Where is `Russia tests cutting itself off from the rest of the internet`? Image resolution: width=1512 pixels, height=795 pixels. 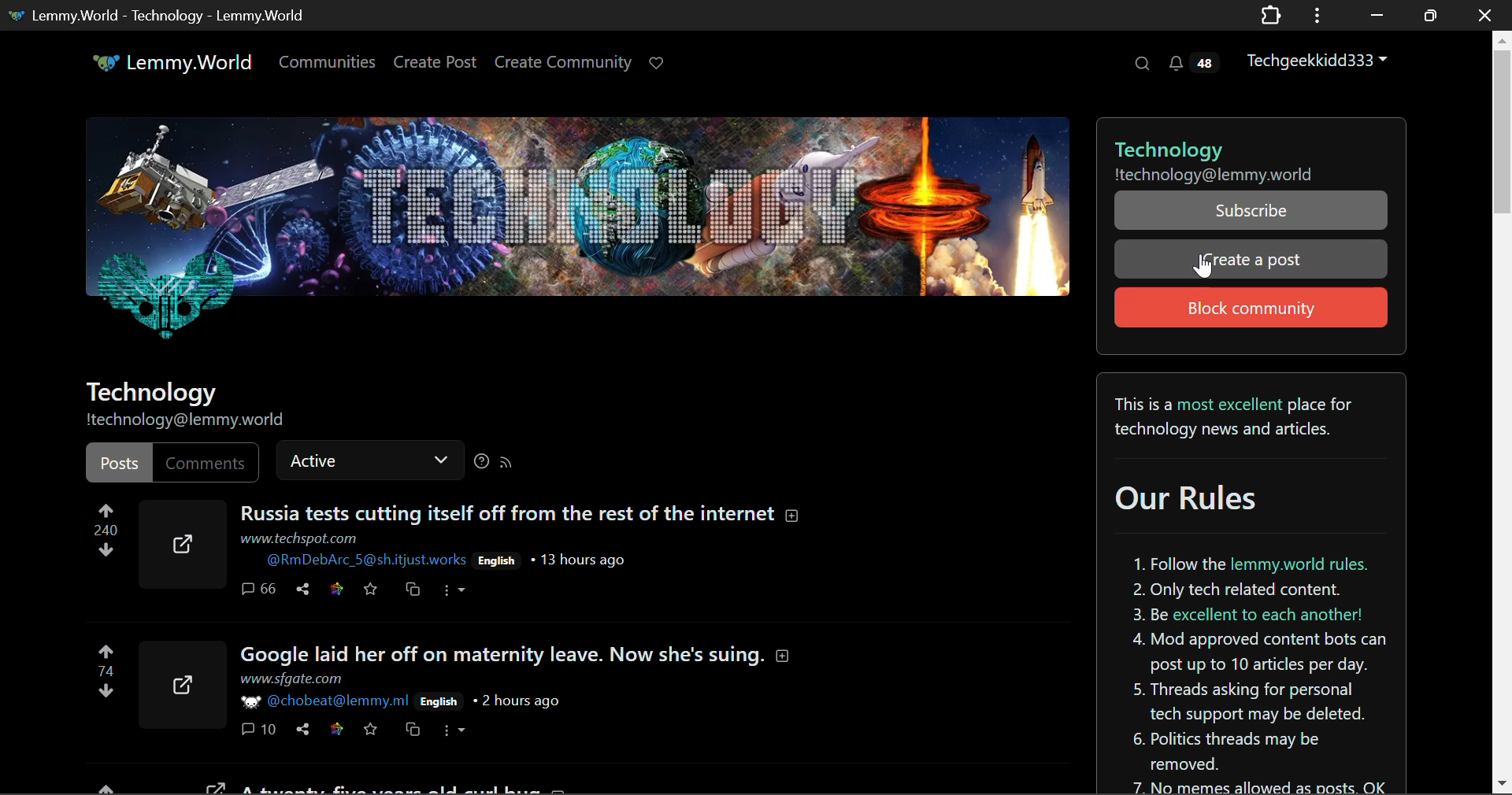 Russia tests cutting itself off from the rest of the internet is located at coordinates (521, 512).